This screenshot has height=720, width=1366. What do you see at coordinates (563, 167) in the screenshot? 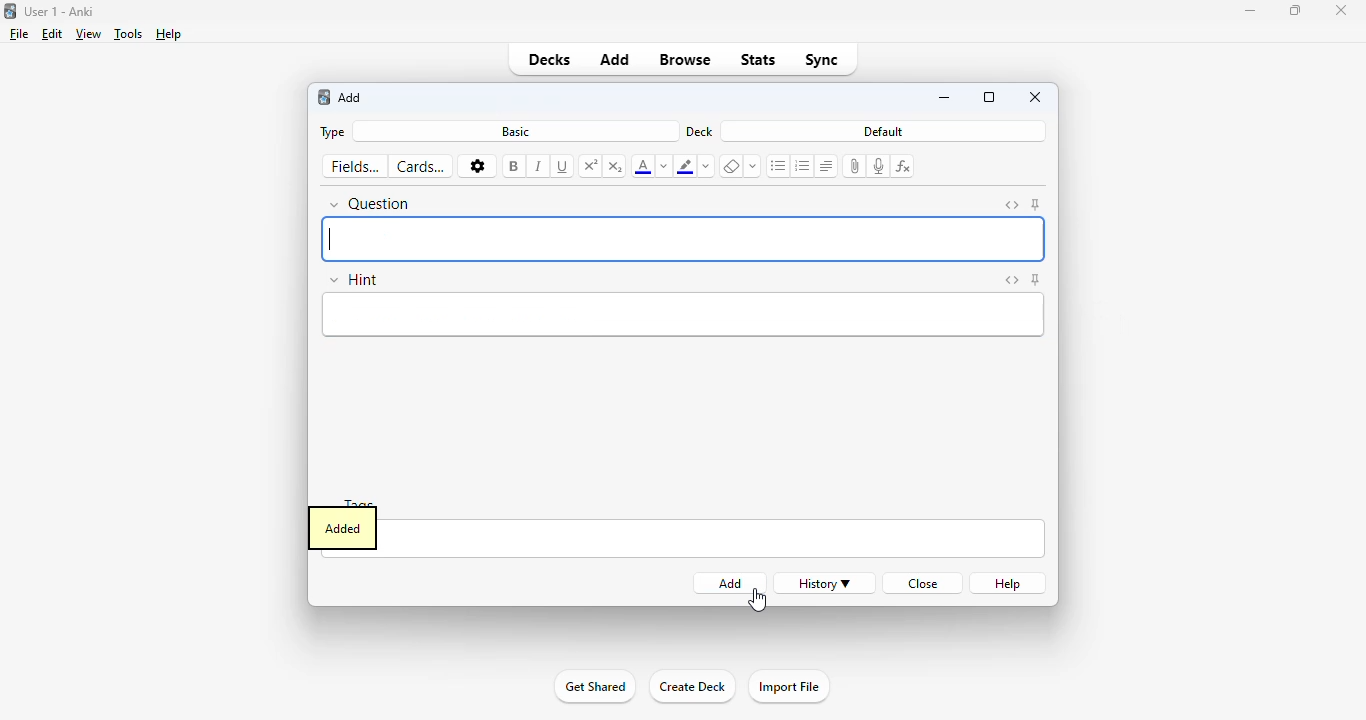
I see `underline` at bounding box center [563, 167].